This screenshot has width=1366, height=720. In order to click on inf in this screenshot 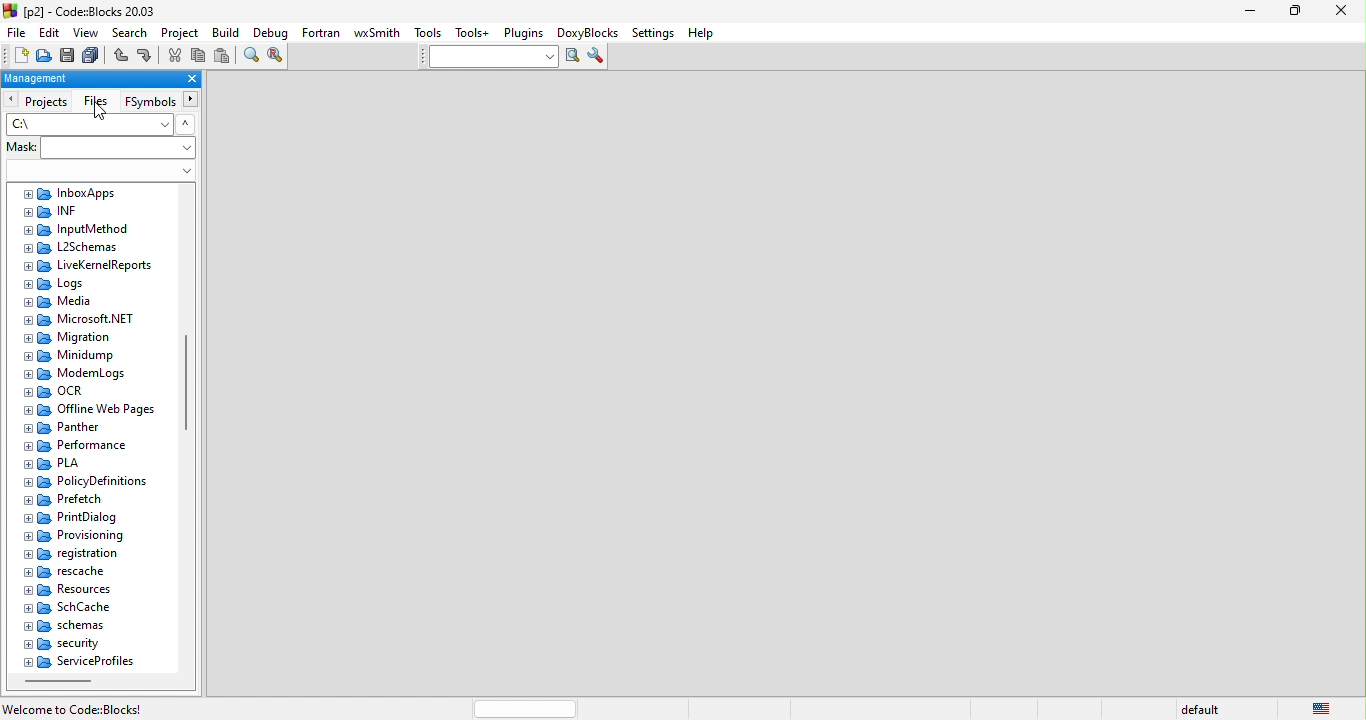, I will do `click(62, 210)`.